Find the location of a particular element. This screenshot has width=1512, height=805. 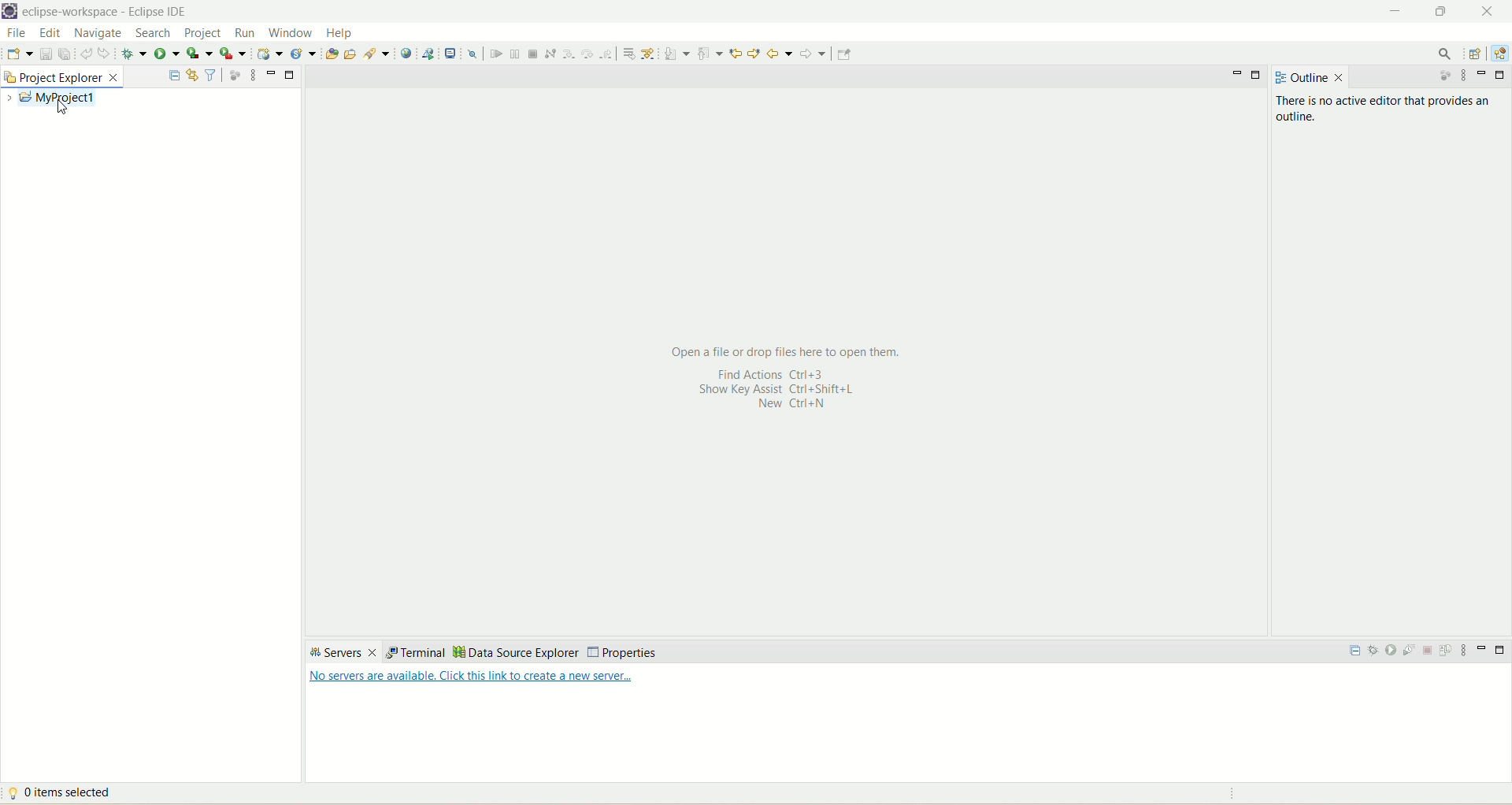

save all is located at coordinates (65, 55).